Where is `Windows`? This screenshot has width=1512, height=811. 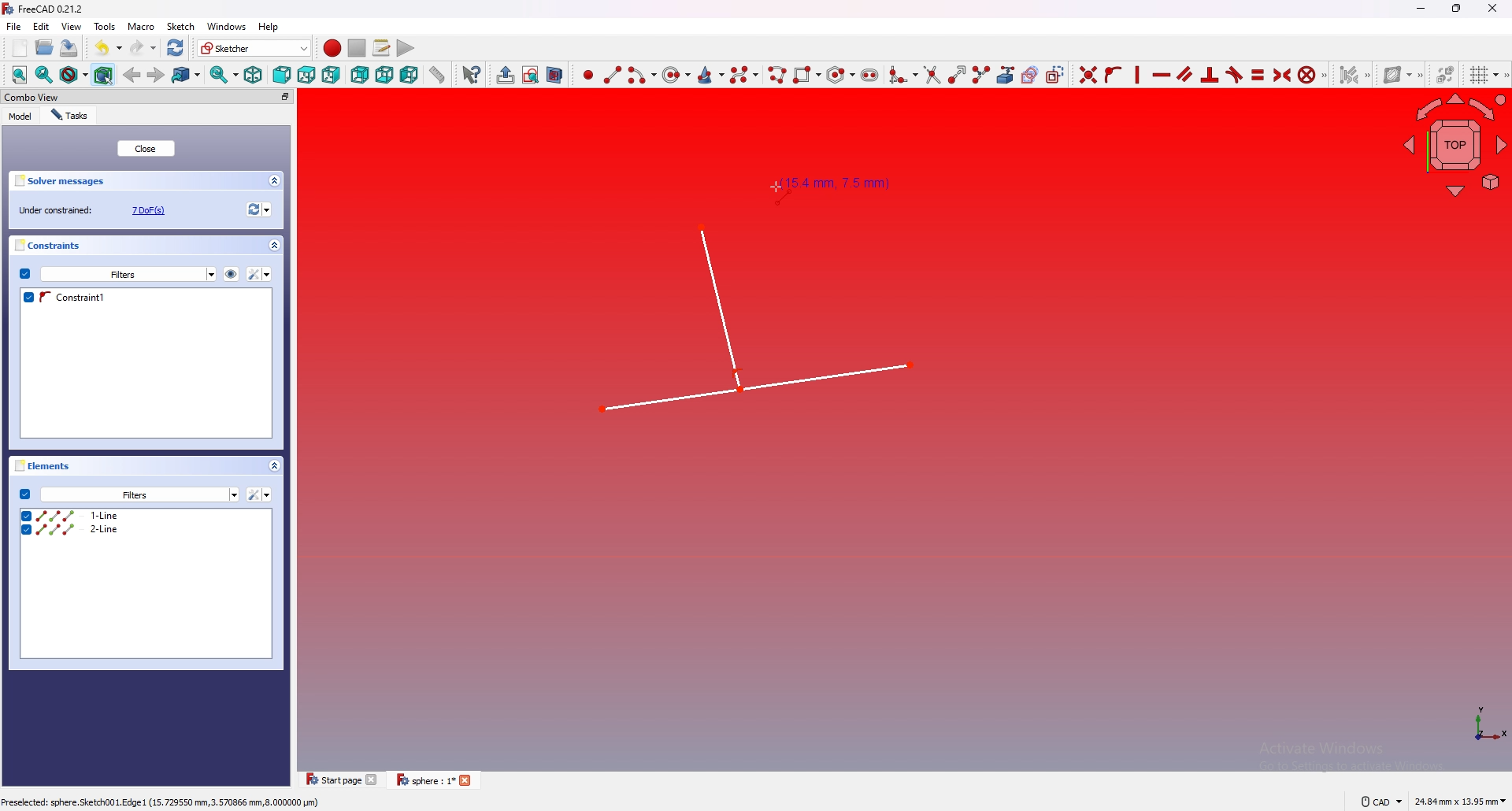
Windows is located at coordinates (227, 27).